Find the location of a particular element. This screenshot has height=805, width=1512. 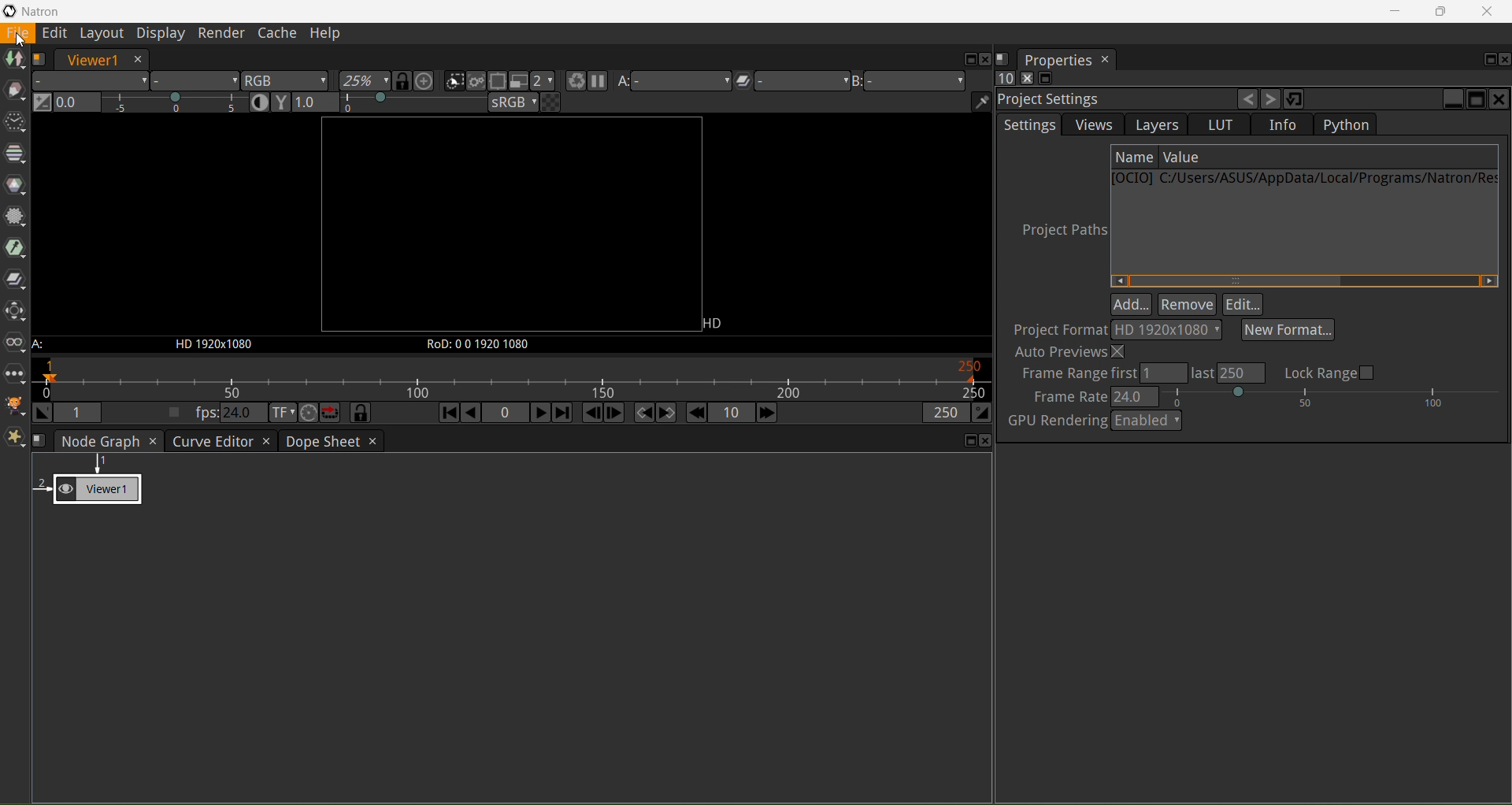

Previous Keyframe is located at coordinates (645, 414).